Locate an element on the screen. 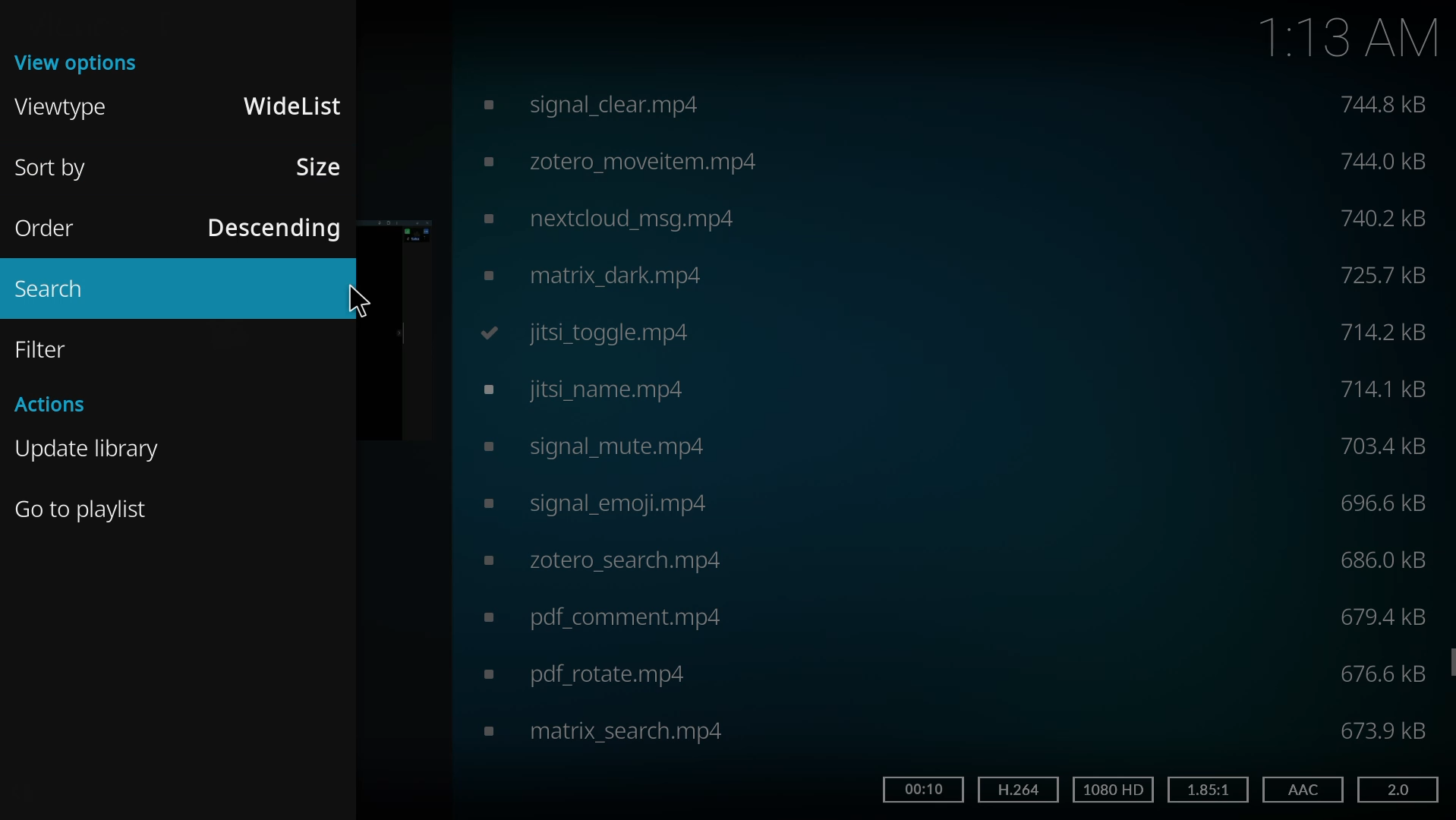 This screenshot has width=1456, height=820. video is located at coordinates (606, 388).